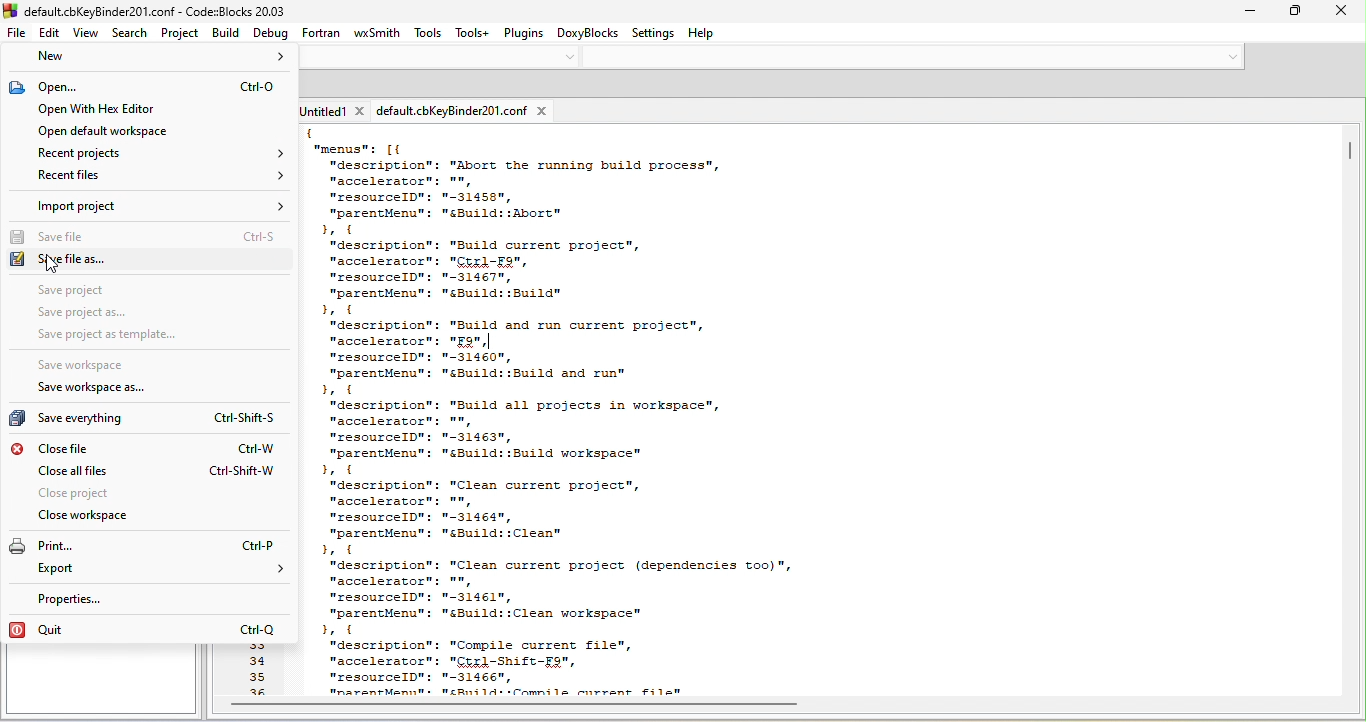  Describe the element at coordinates (97, 495) in the screenshot. I see `close project` at that location.